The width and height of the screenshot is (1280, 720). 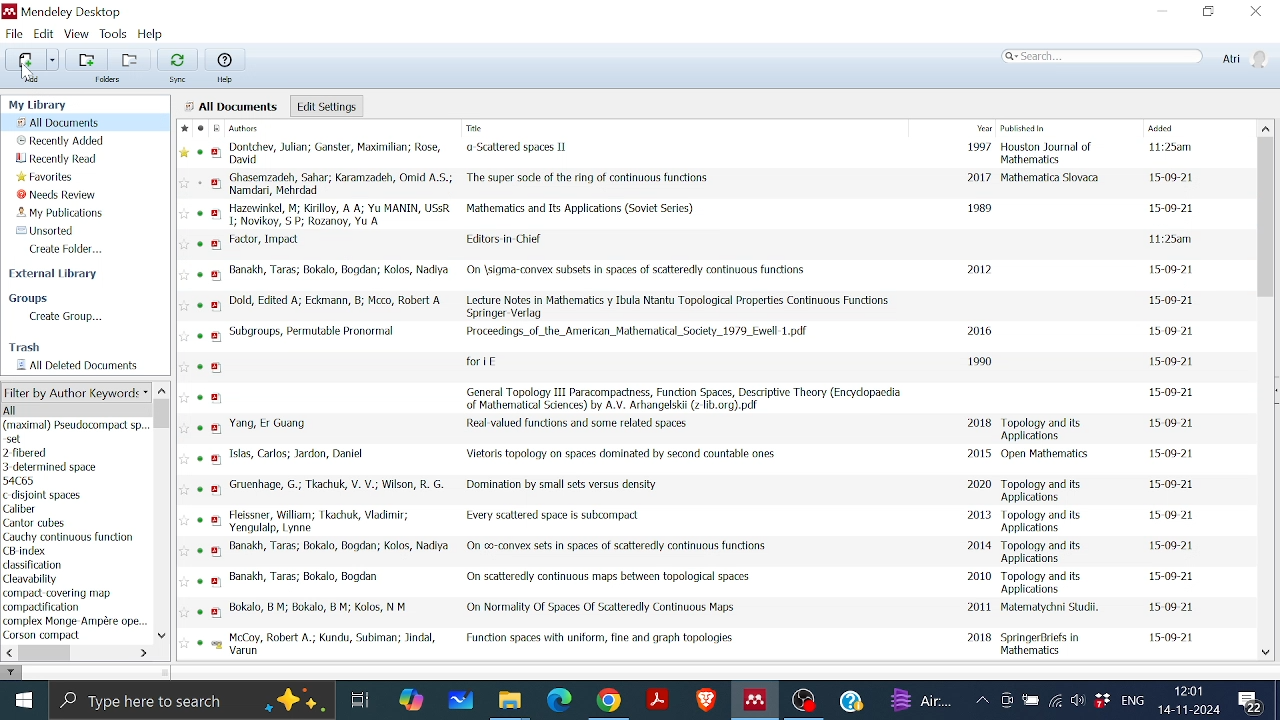 I want to click on , so click(x=1265, y=126).